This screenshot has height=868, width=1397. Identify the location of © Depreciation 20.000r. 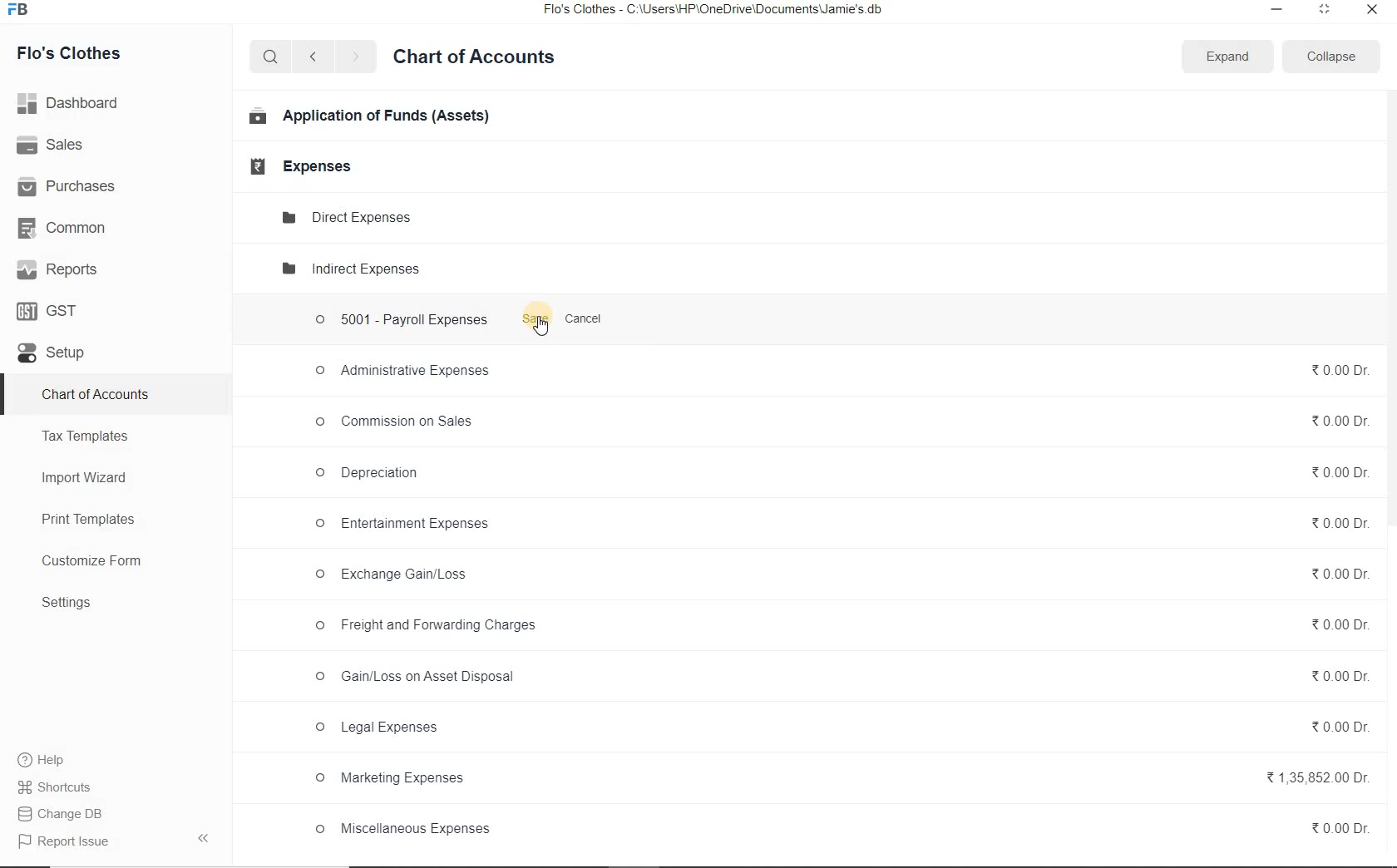
(842, 471).